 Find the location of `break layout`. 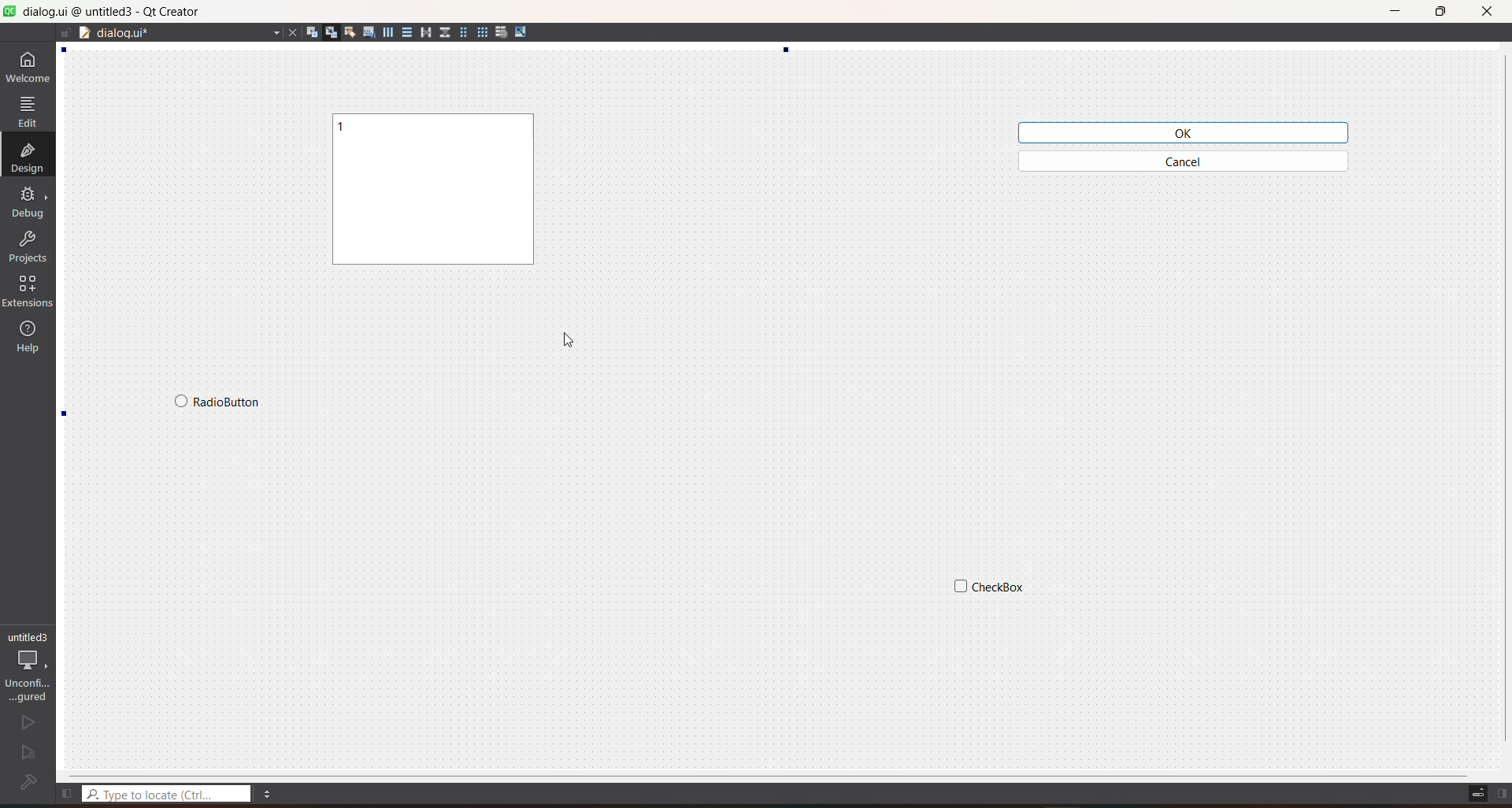

break layout is located at coordinates (501, 33).